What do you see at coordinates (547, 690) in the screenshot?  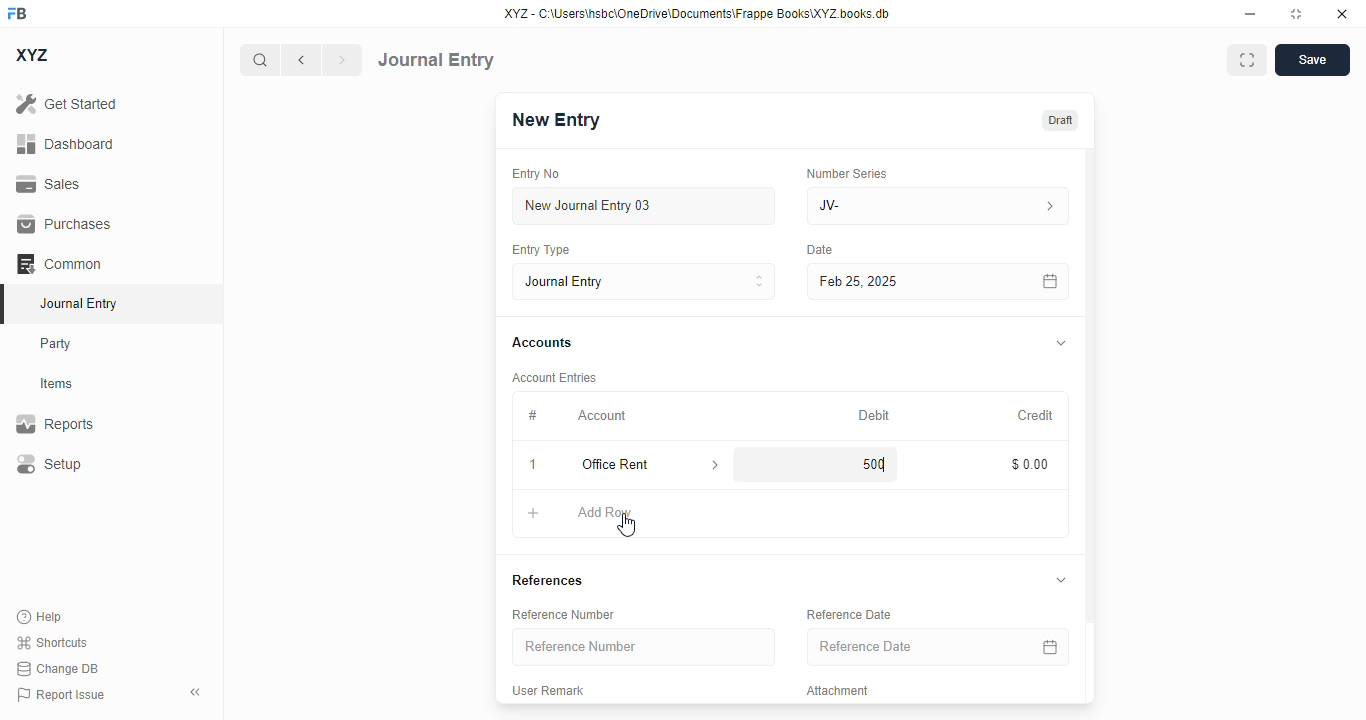 I see `user remark` at bounding box center [547, 690].